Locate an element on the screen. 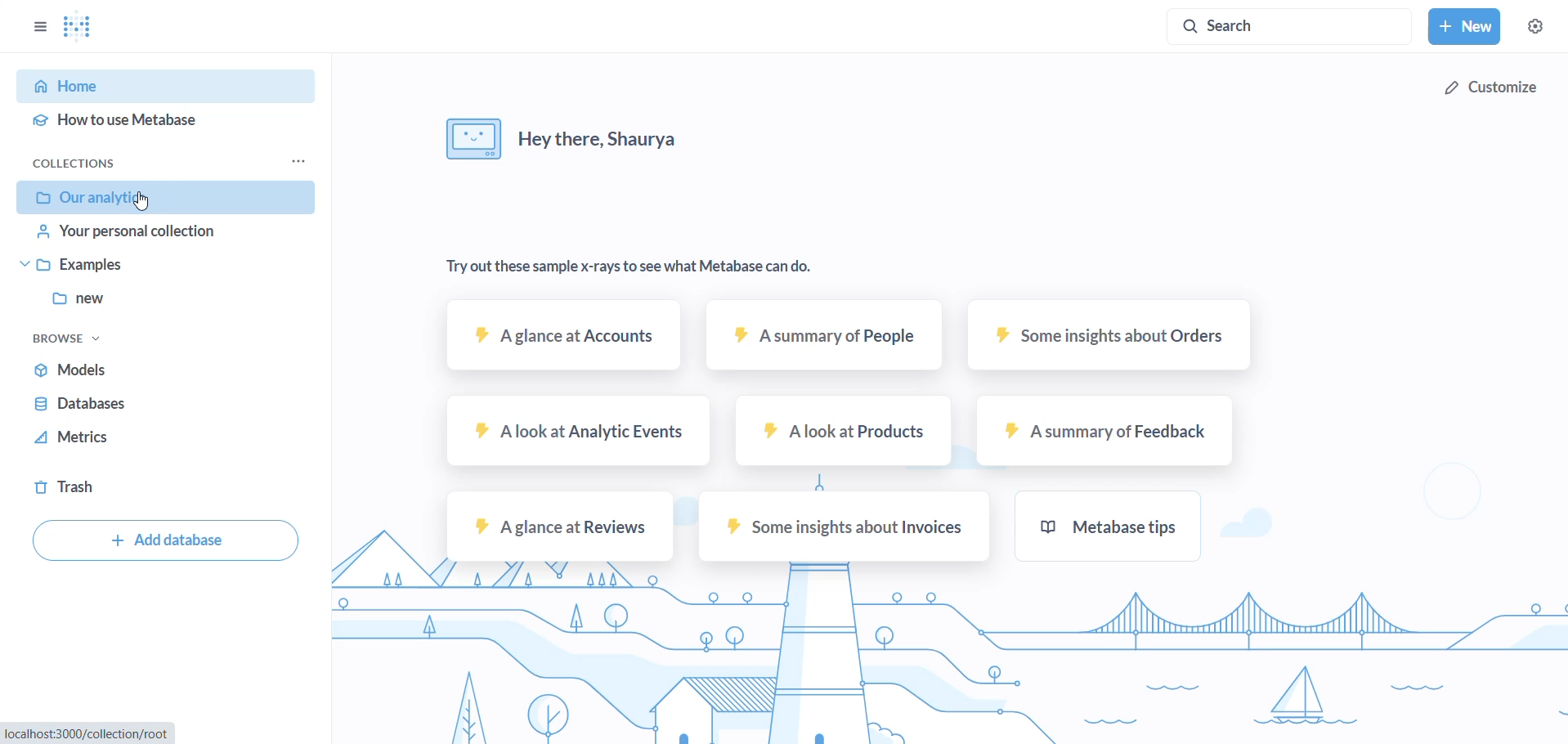  models is located at coordinates (164, 375).